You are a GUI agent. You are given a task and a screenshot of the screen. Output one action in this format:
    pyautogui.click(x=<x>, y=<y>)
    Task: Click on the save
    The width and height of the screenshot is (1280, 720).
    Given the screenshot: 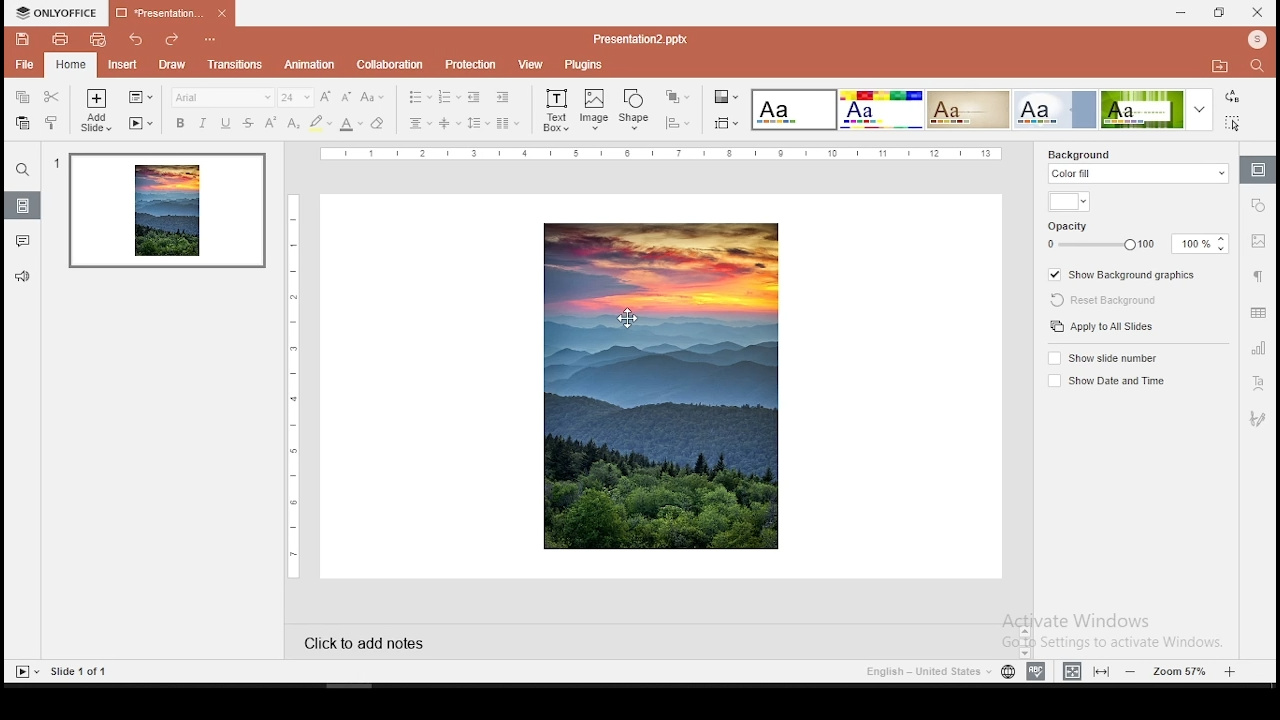 What is the action you would take?
    pyautogui.click(x=19, y=38)
    